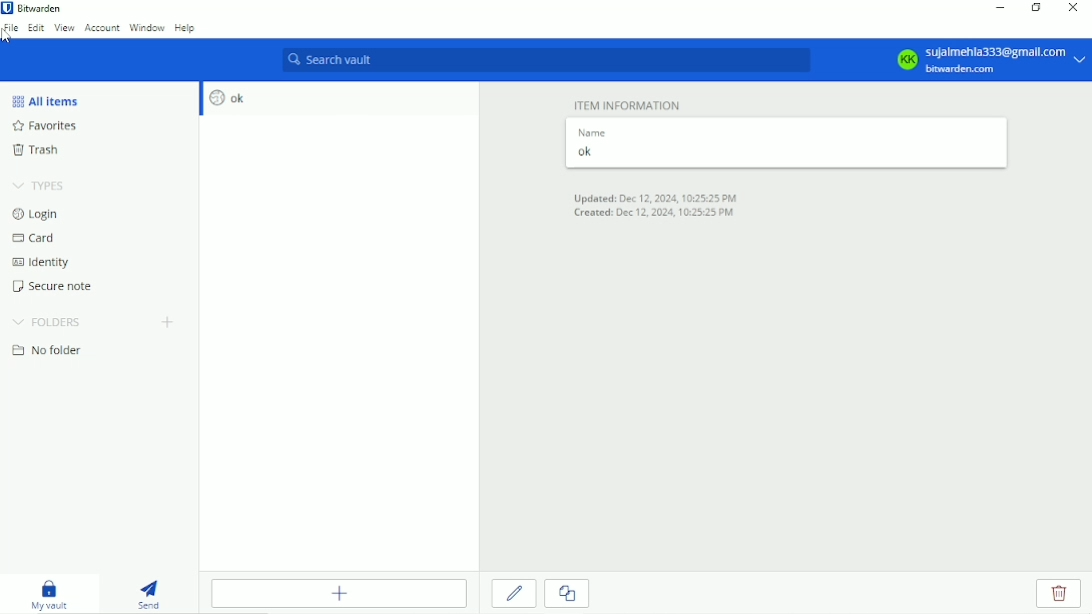  Describe the element at coordinates (1060, 594) in the screenshot. I see `Delete` at that location.